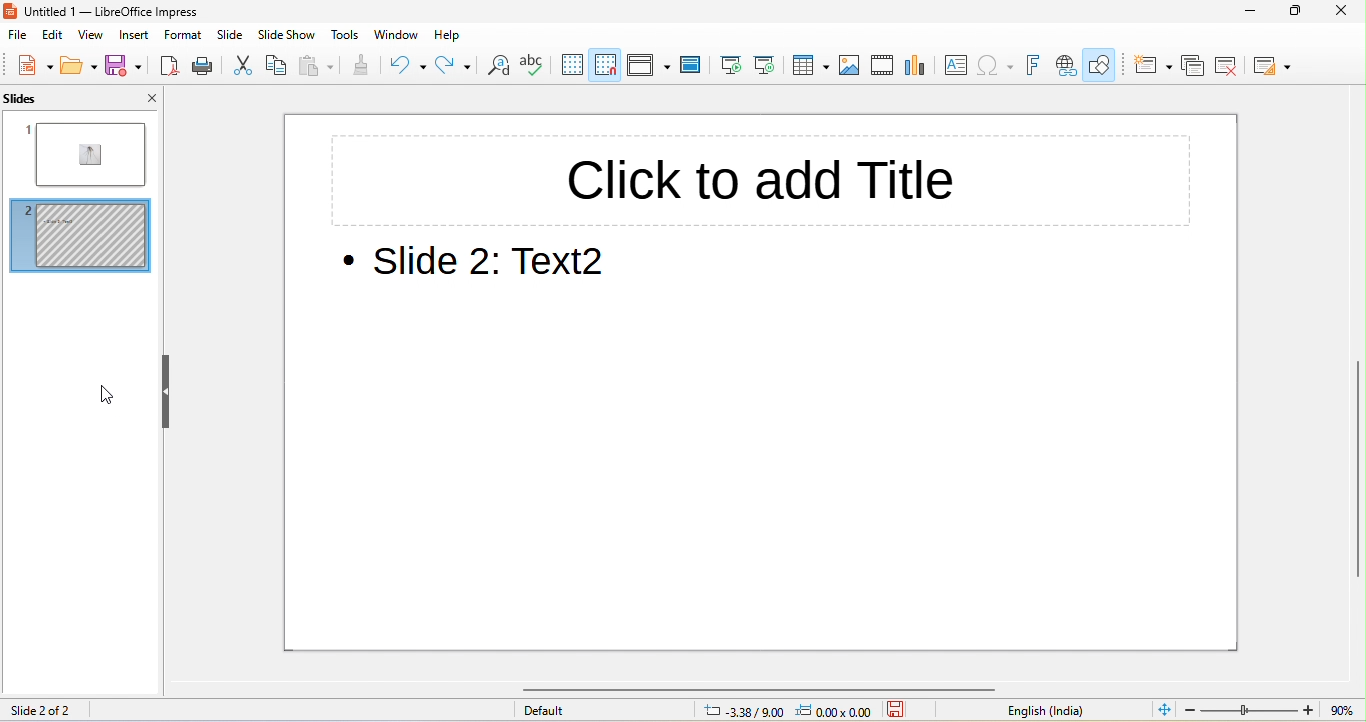 Image resolution: width=1366 pixels, height=722 pixels. I want to click on the document has not been modified since last save, so click(904, 710).